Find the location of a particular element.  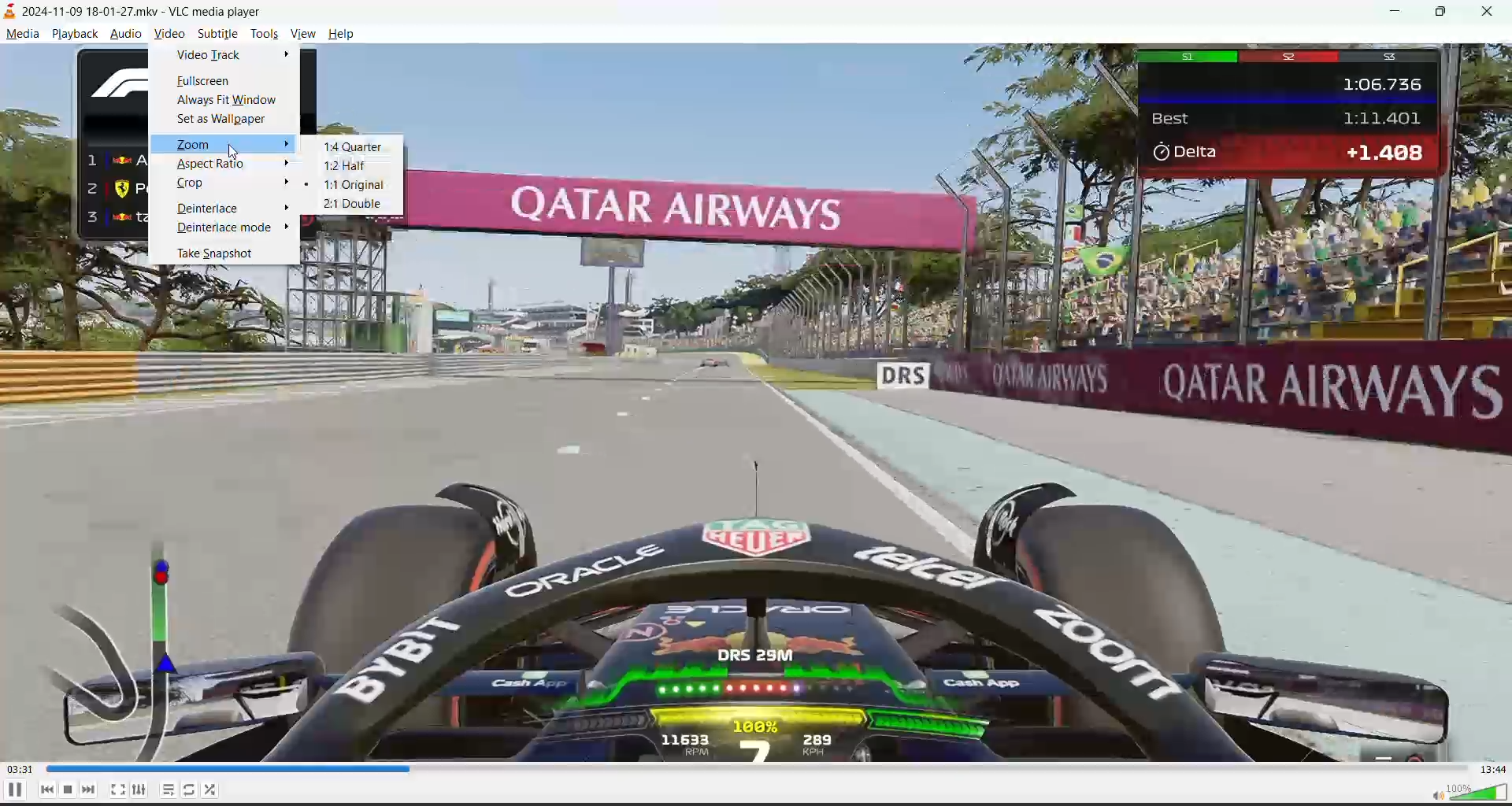

1:1 original is located at coordinates (354, 185).